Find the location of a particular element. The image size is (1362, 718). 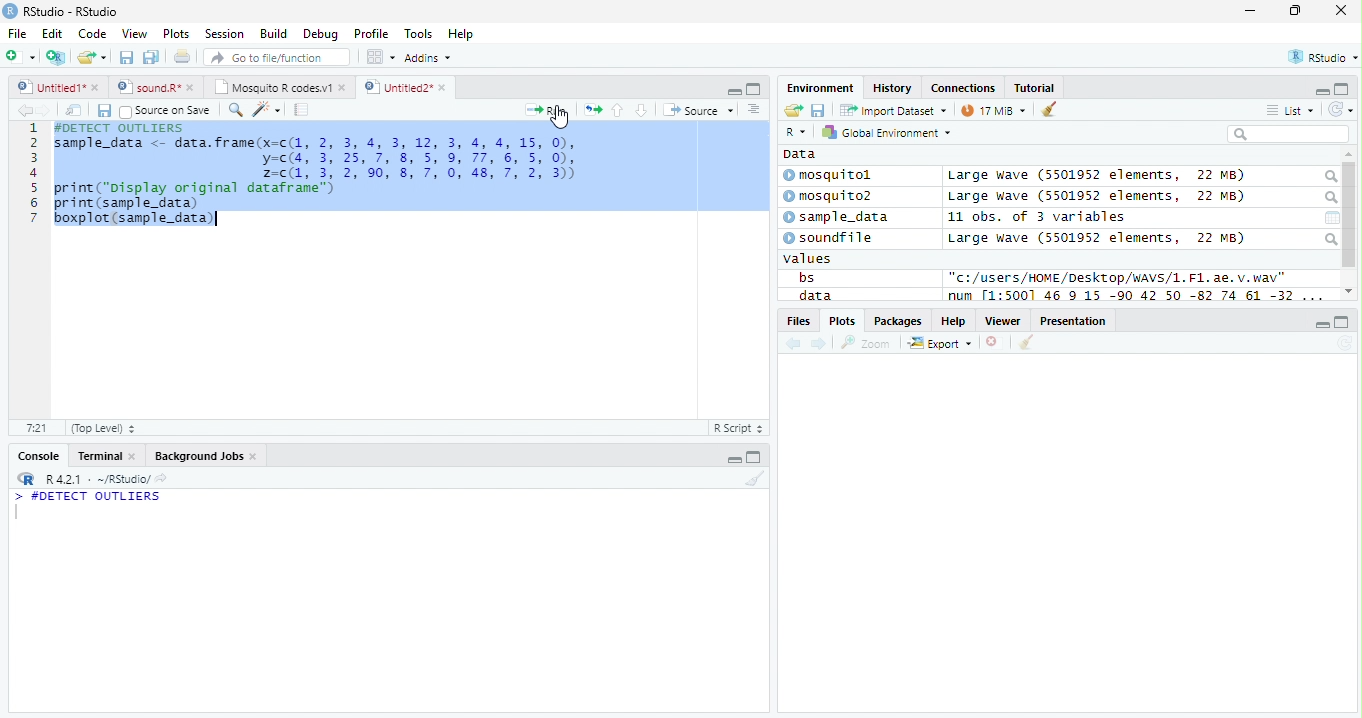

History is located at coordinates (892, 88).